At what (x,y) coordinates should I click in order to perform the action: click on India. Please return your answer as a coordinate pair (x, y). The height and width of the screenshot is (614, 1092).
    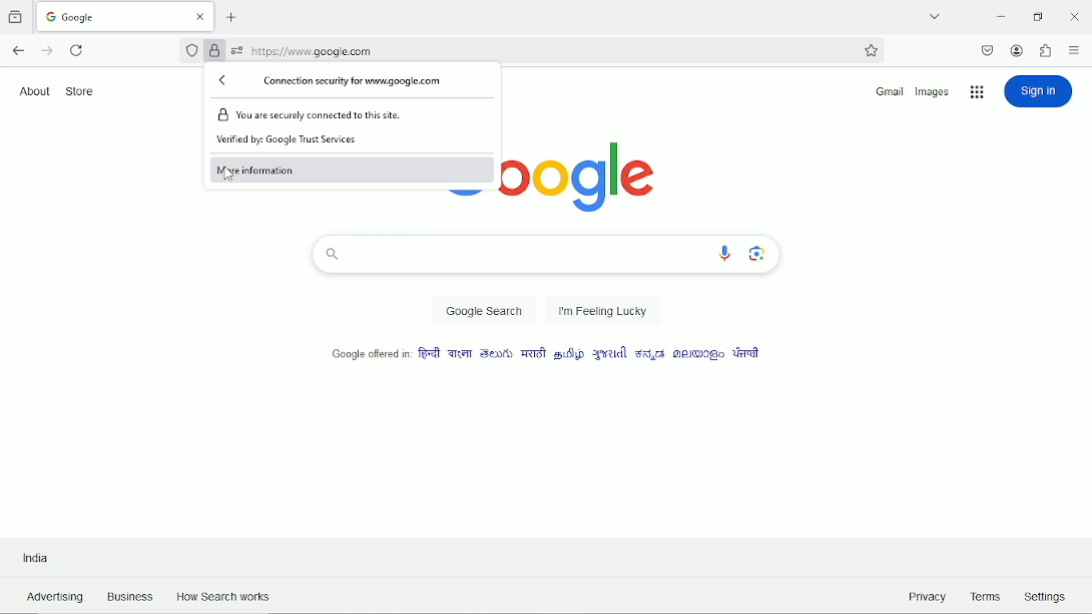
    Looking at the image, I should click on (35, 560).